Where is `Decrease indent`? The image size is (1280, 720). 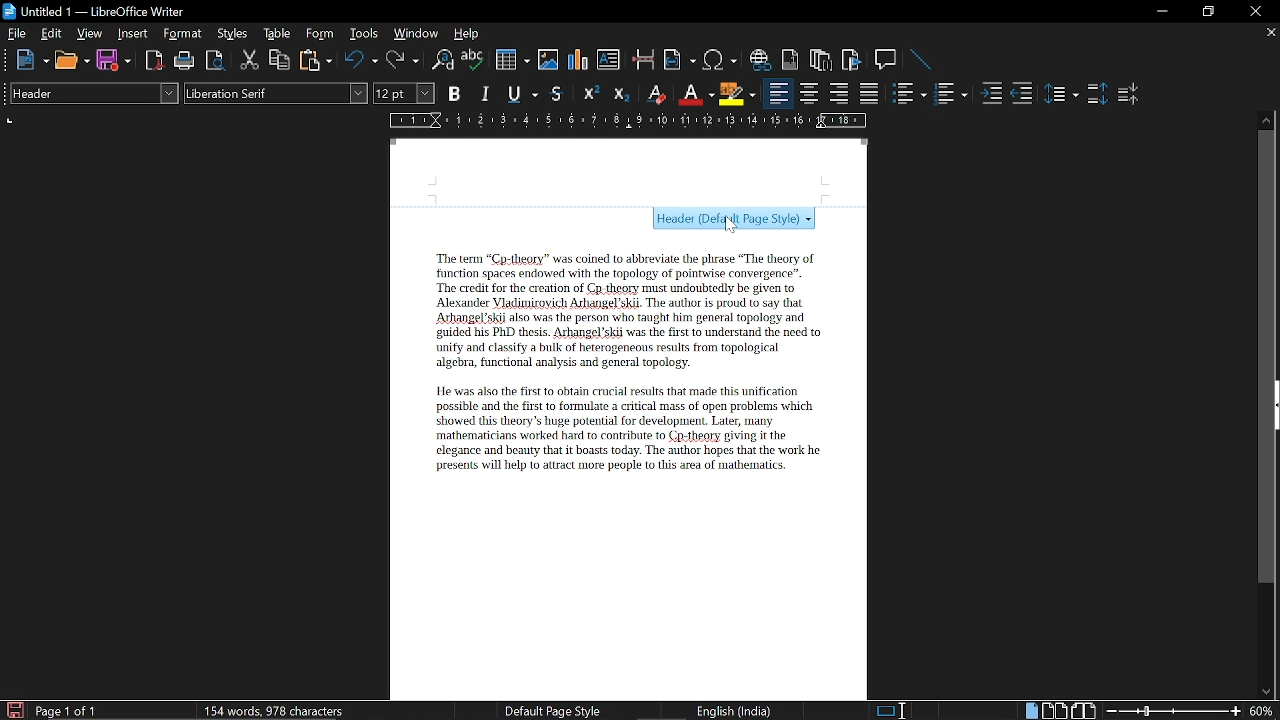 Decrease indent is located at coordinates (1022, 93).